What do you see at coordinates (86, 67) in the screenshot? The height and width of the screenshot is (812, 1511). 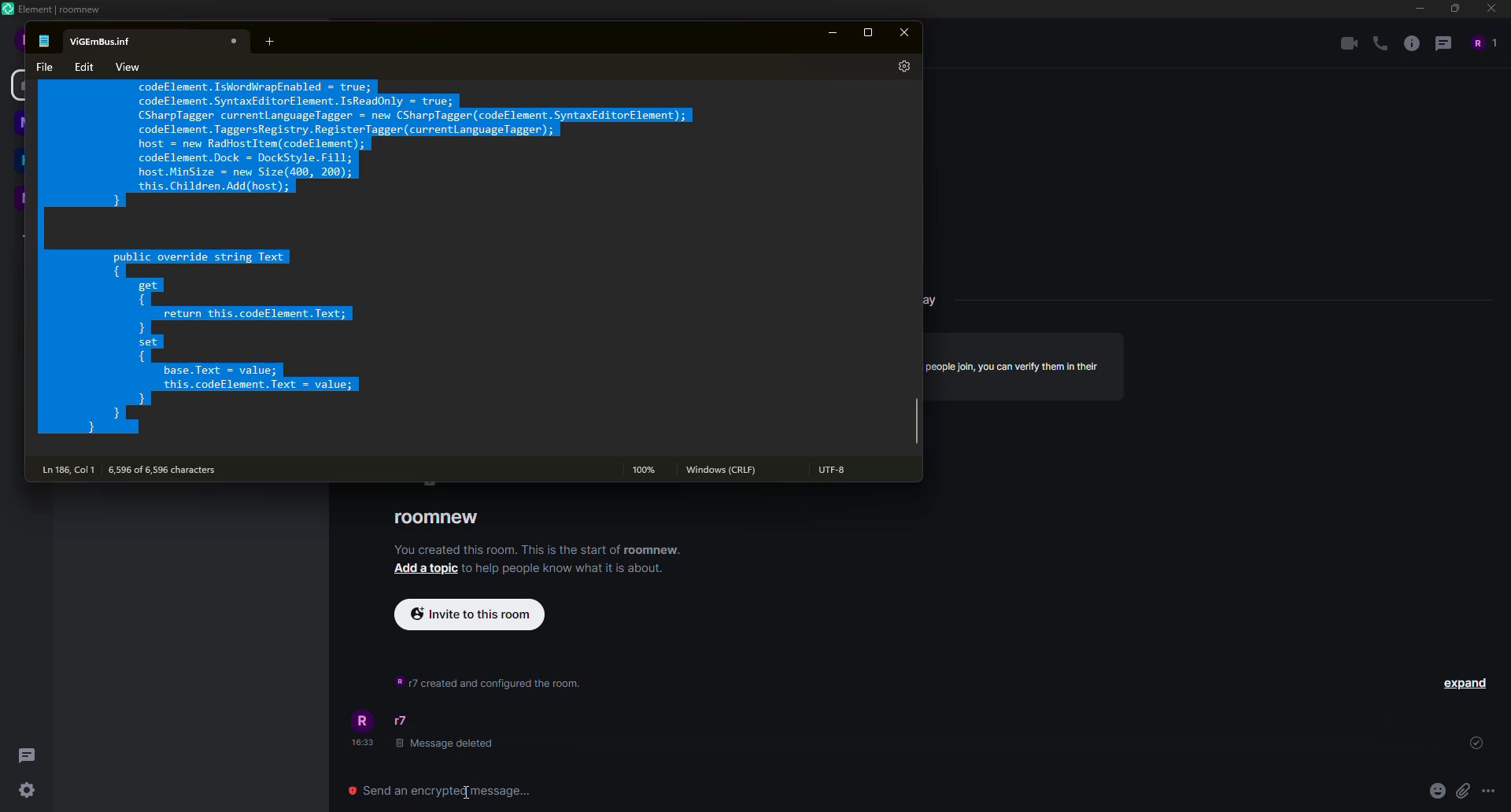 I see `edit` at bounding box center [86, 67].